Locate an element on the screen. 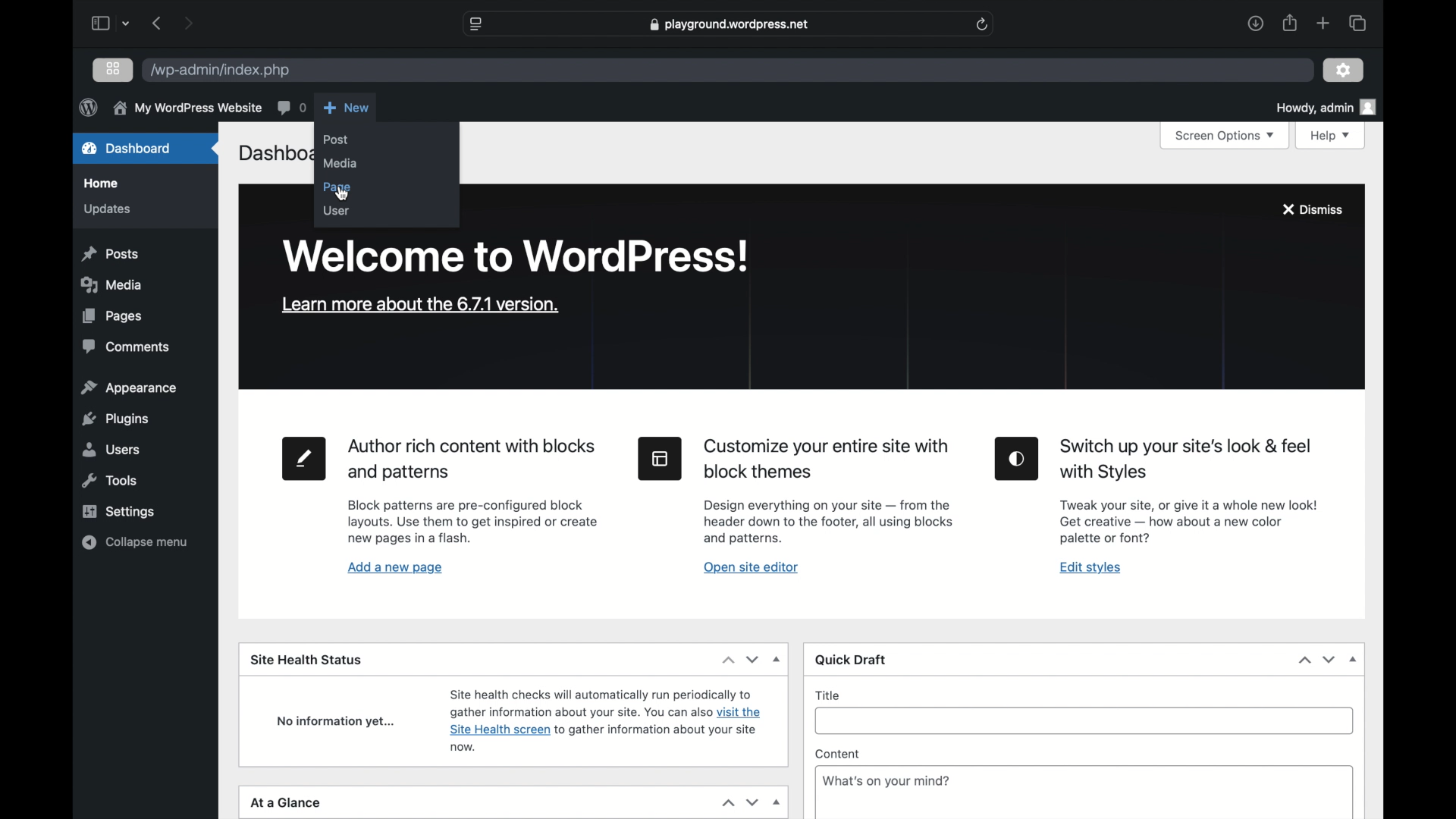  comments is located at coordinates (126, 347).